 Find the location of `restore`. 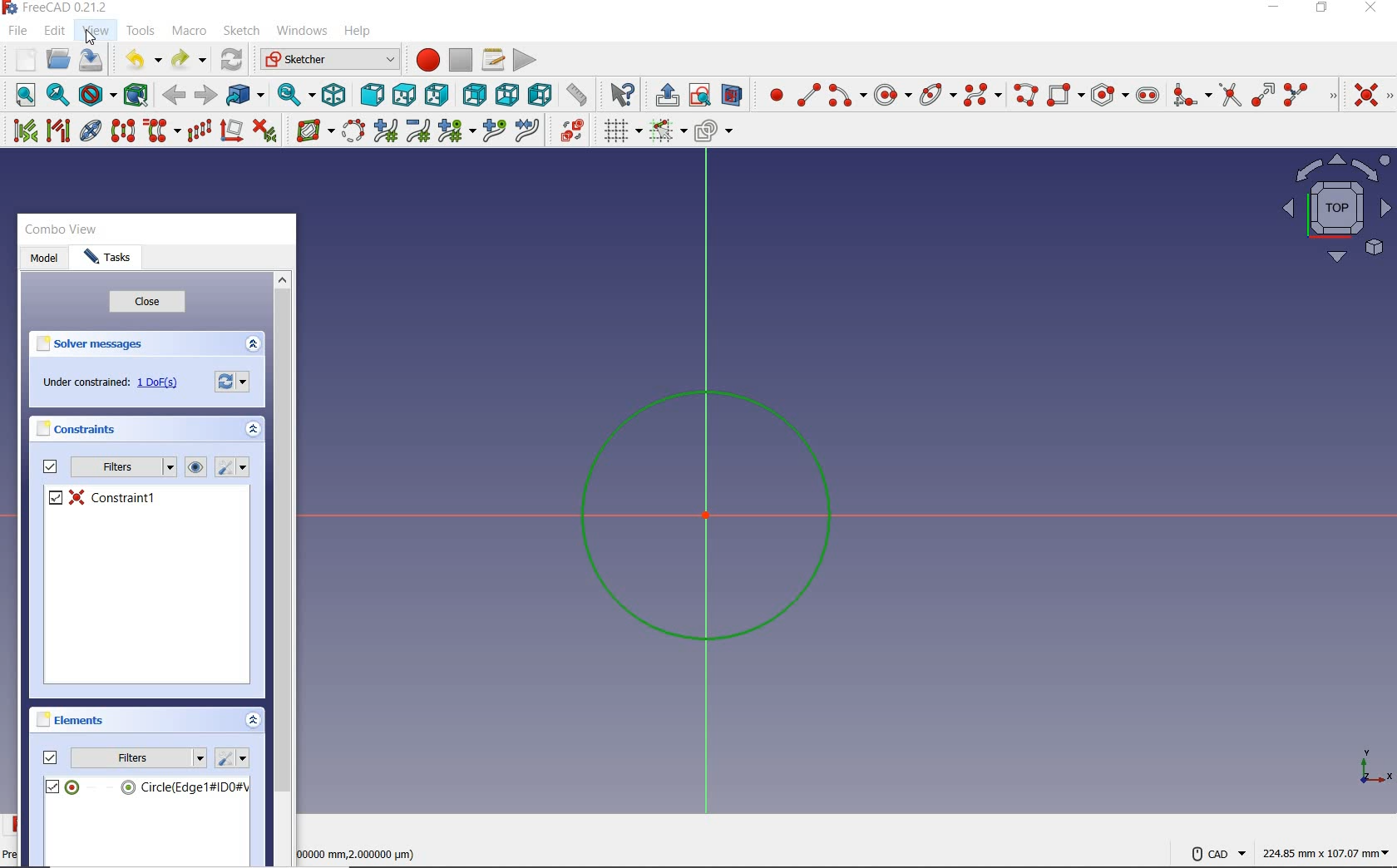

restore is located at coordinates (1322, 13).